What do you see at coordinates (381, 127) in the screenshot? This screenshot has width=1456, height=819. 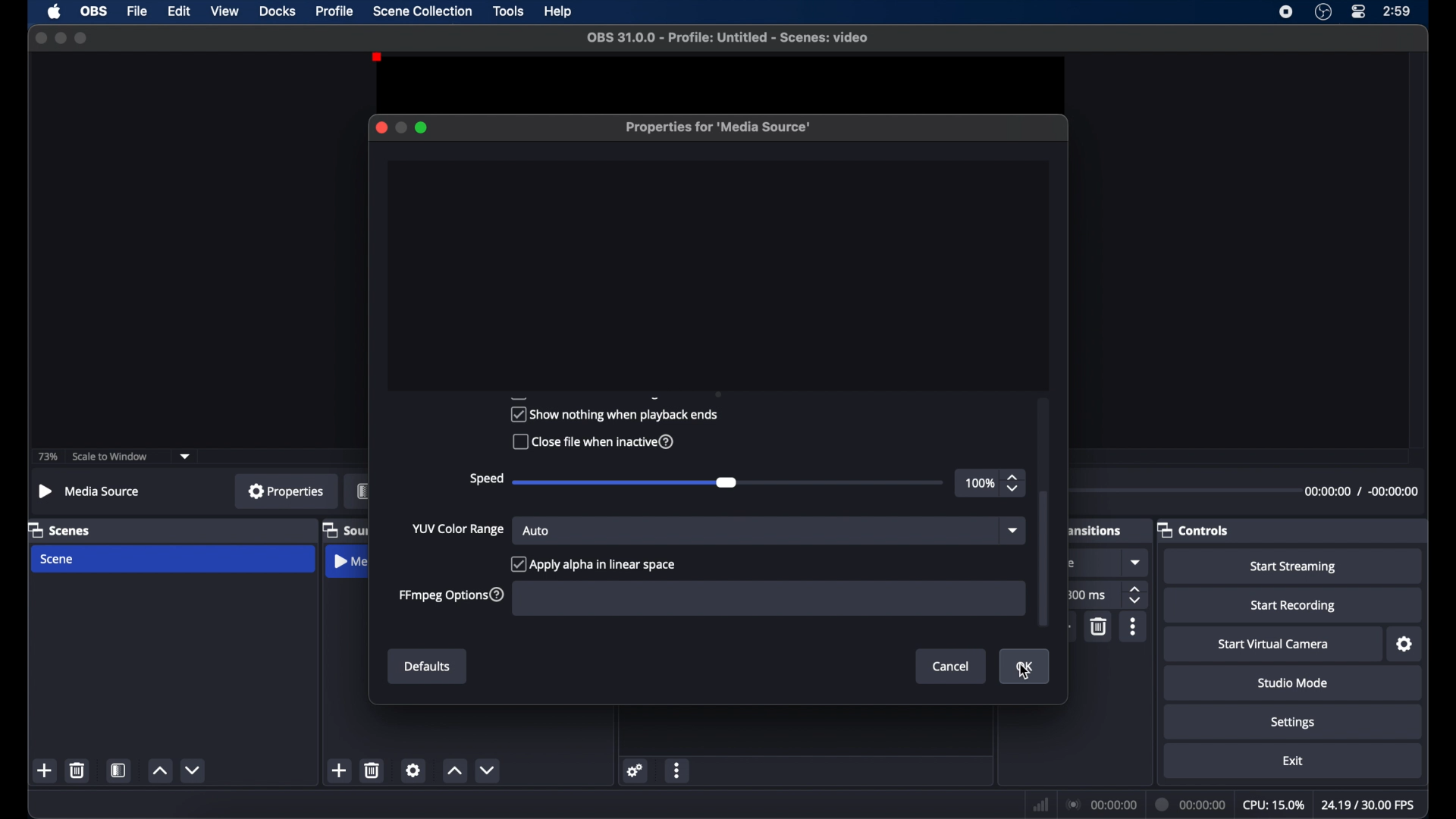 I see `close` at bounding box center [381, 127].